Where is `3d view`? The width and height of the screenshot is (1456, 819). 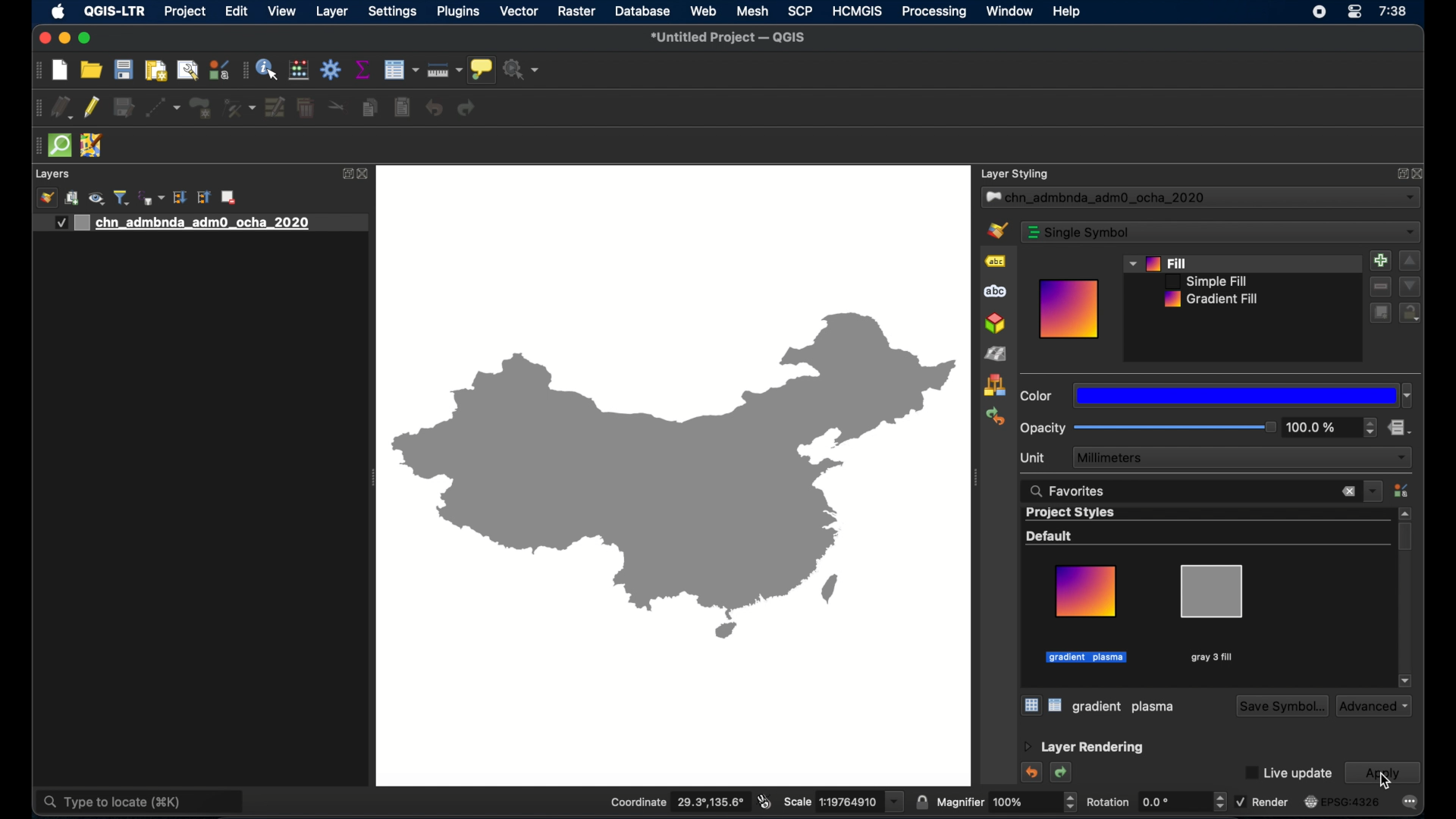
3d view is located at coordinates (995, 324).